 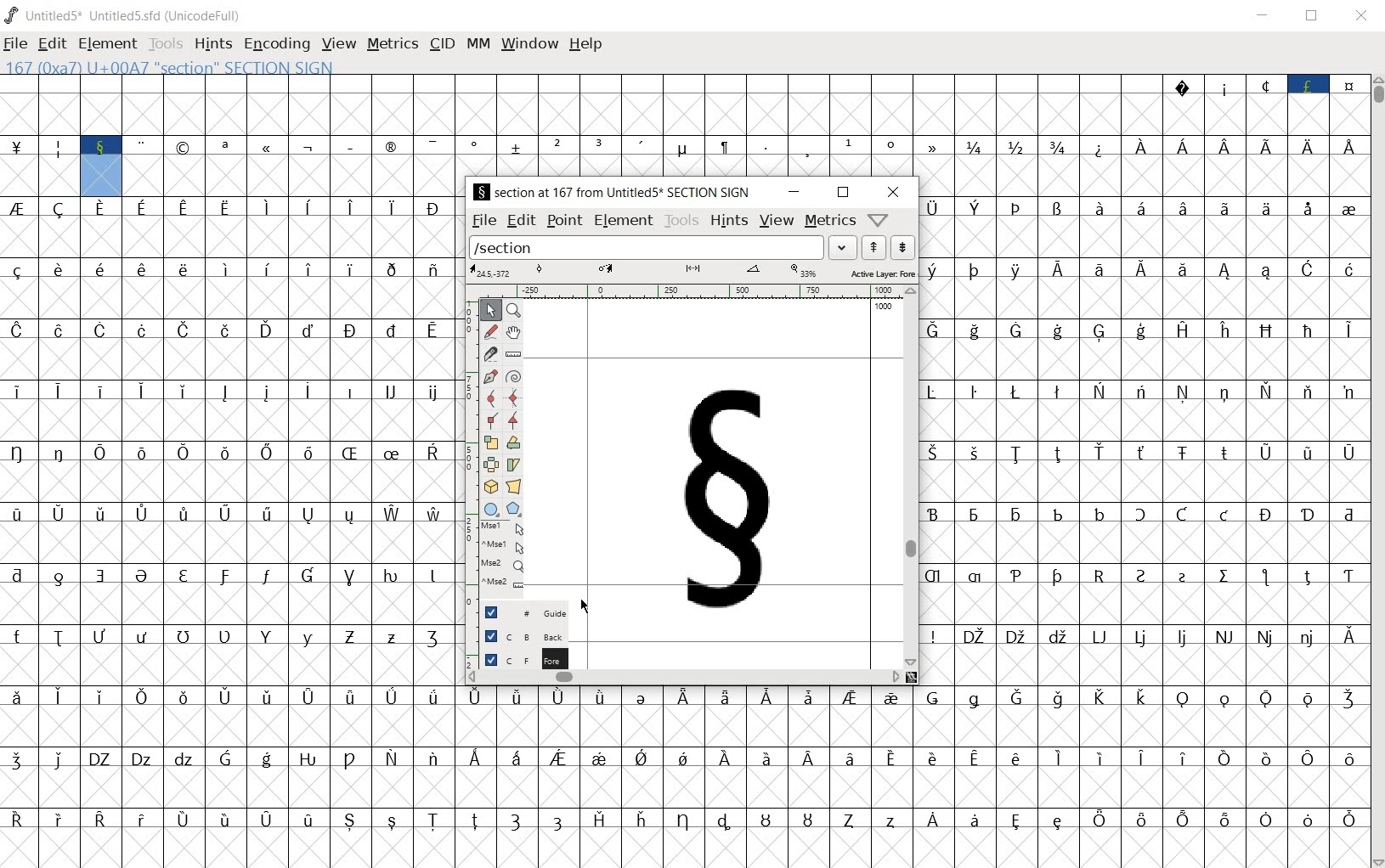 I want to click on empty cells, so click(x=1143, y=665).